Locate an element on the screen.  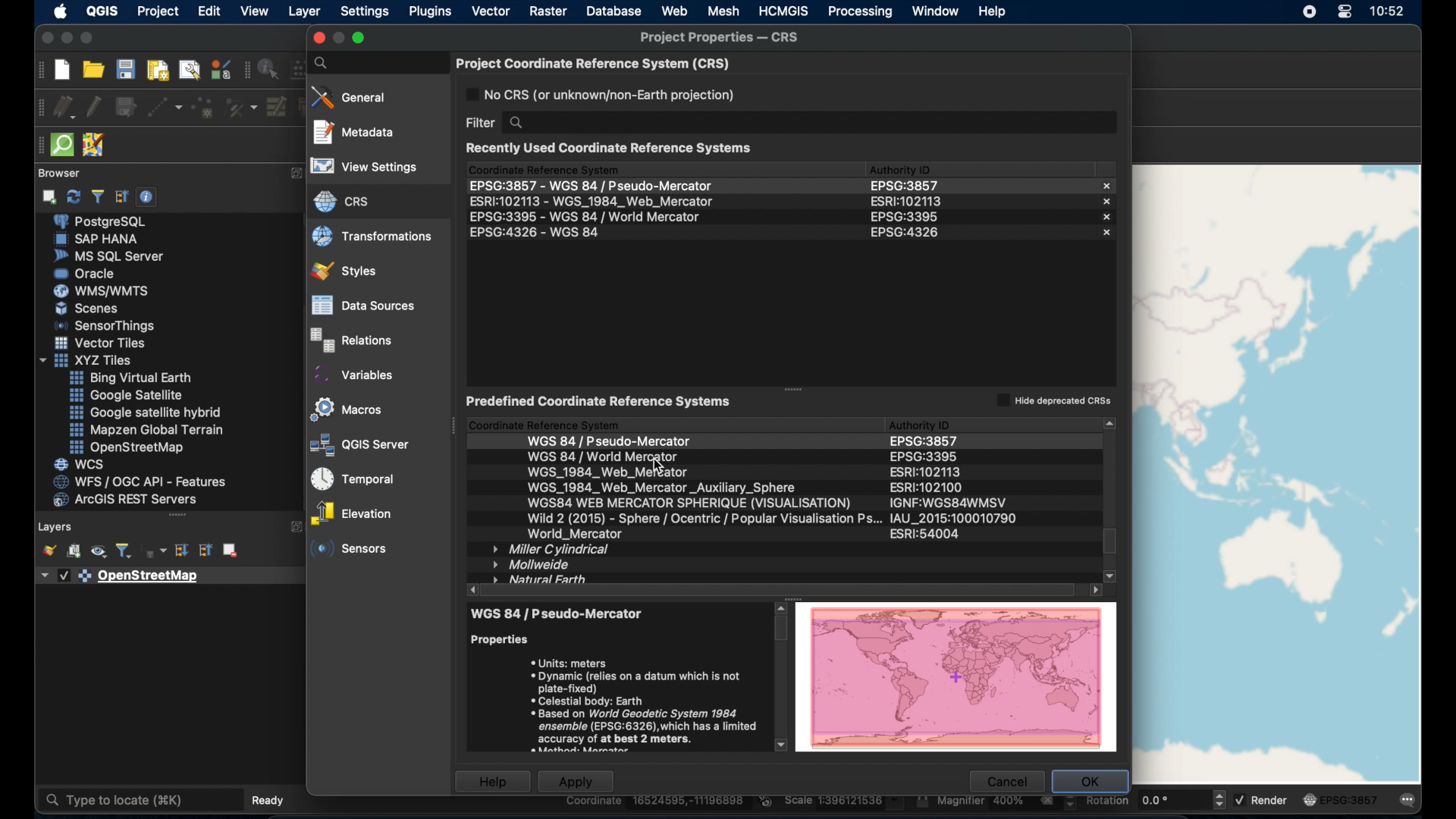
settings is located at coordinates (366, 11).